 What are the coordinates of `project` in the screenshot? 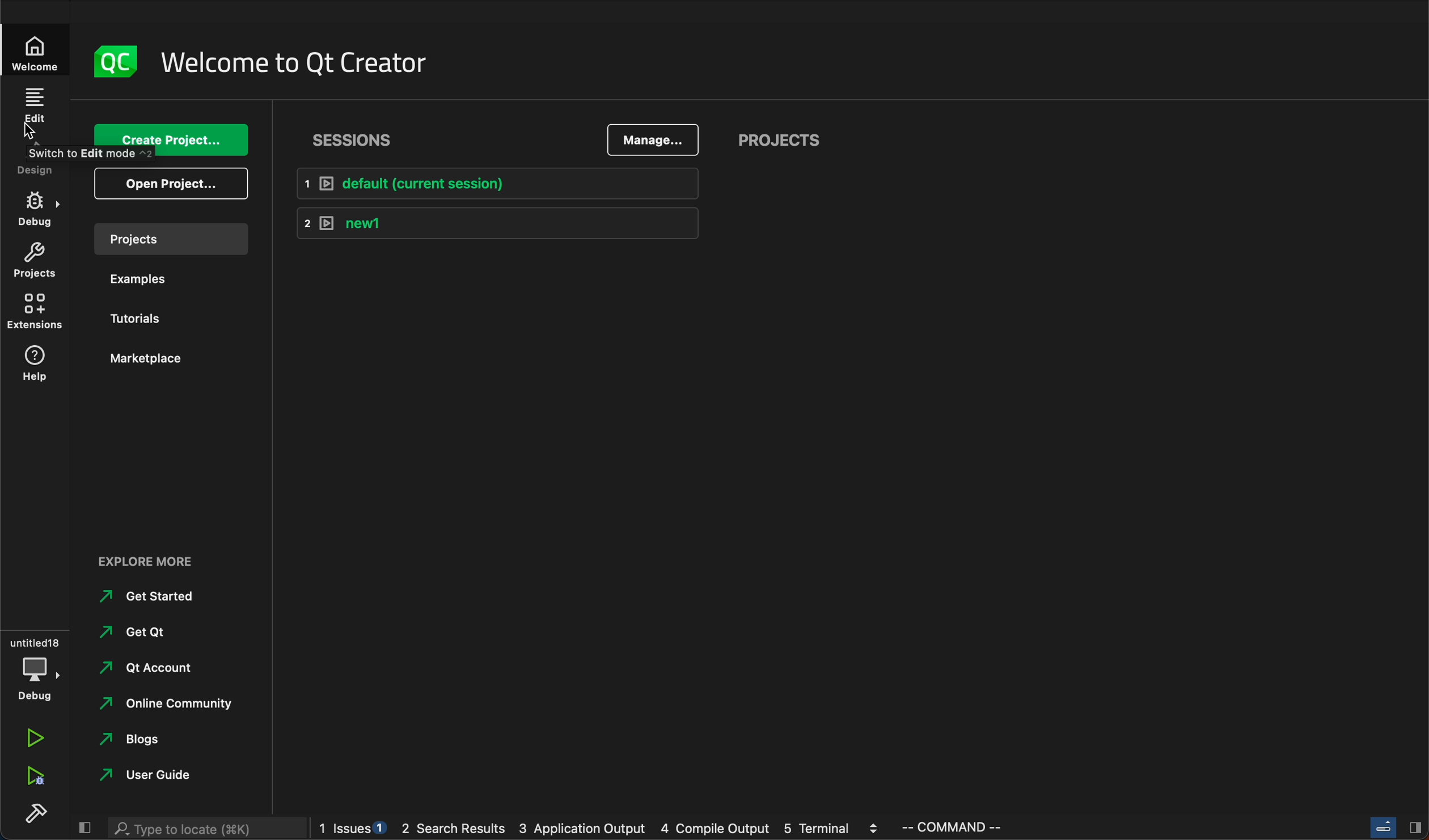 It's located at (36, 261).